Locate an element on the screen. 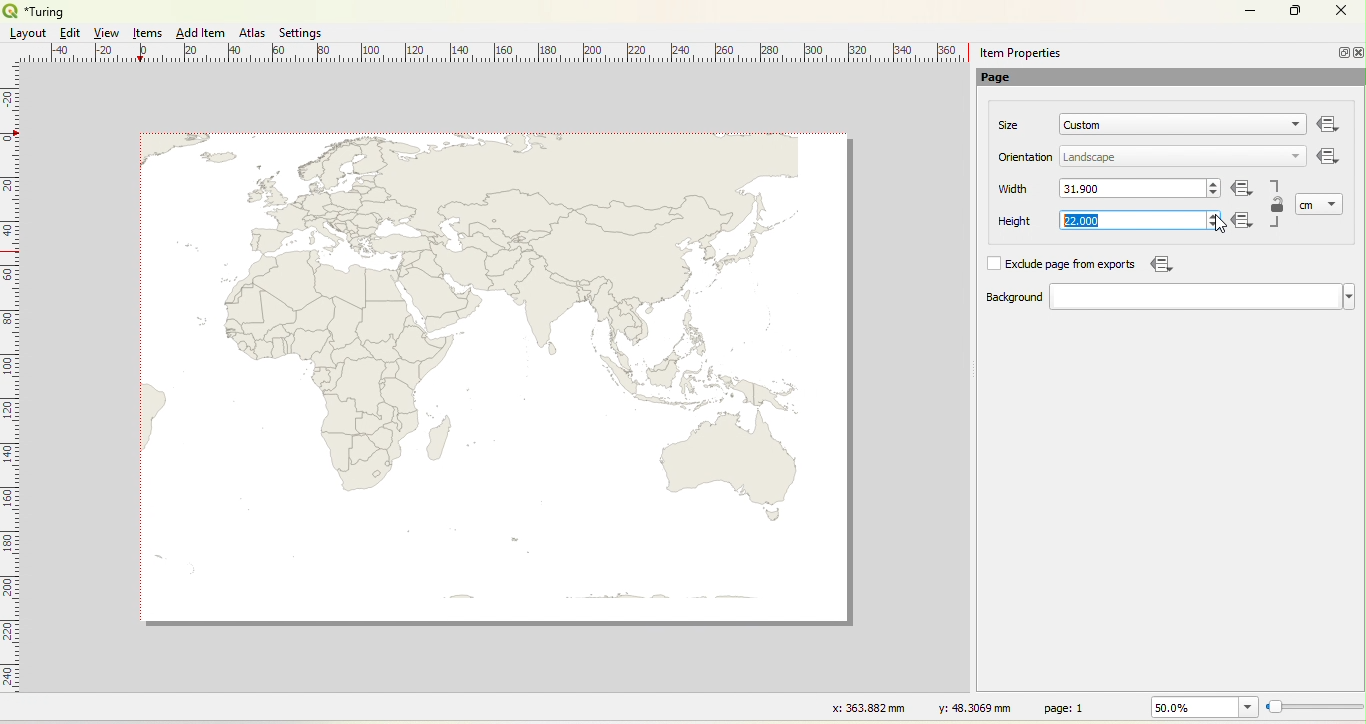 This screenshot has height=724, width=1366. Icon is located at coordinates (1246, 222).